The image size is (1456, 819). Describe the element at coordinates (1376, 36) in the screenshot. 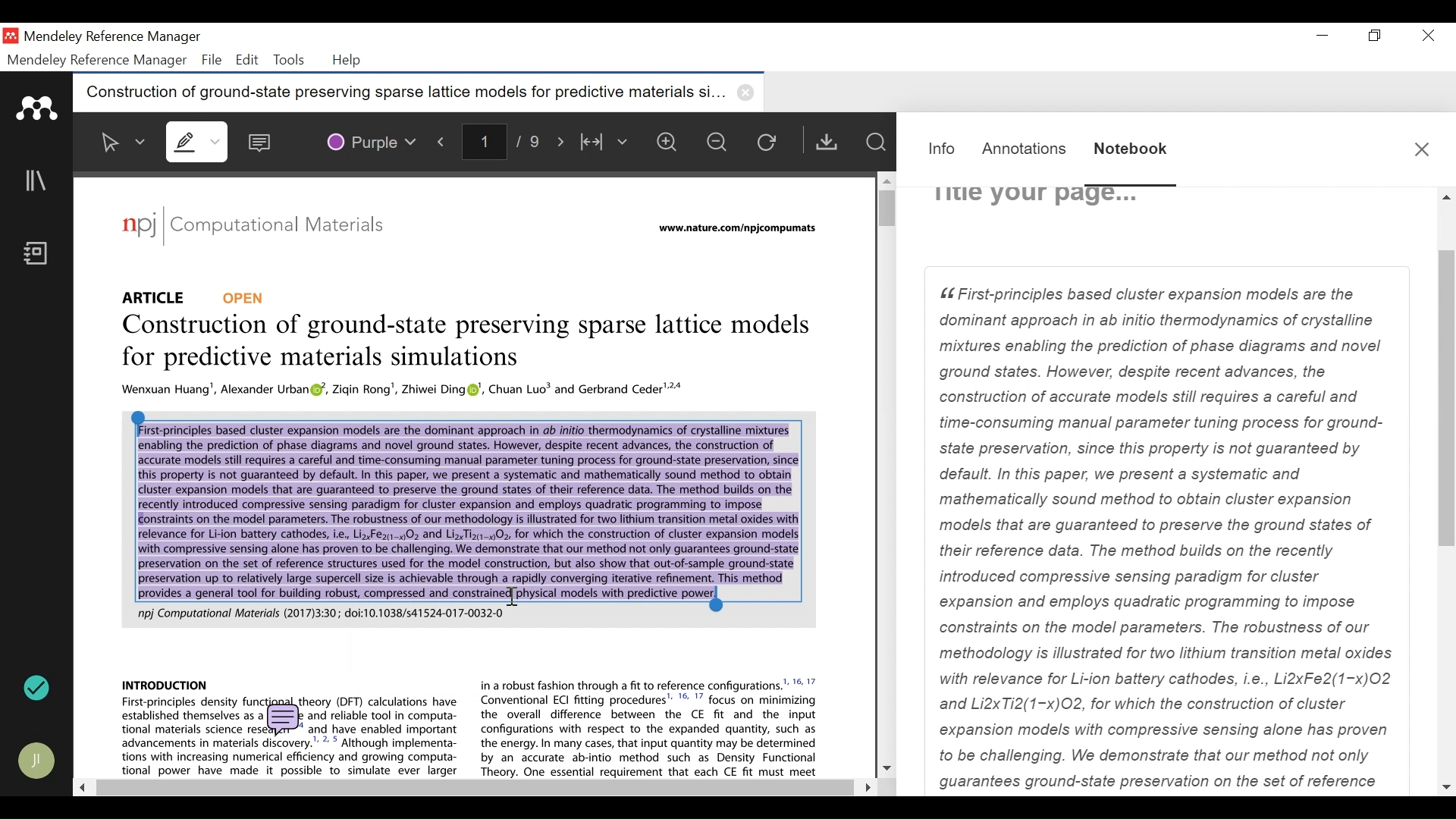

I see `Restore` at that location.